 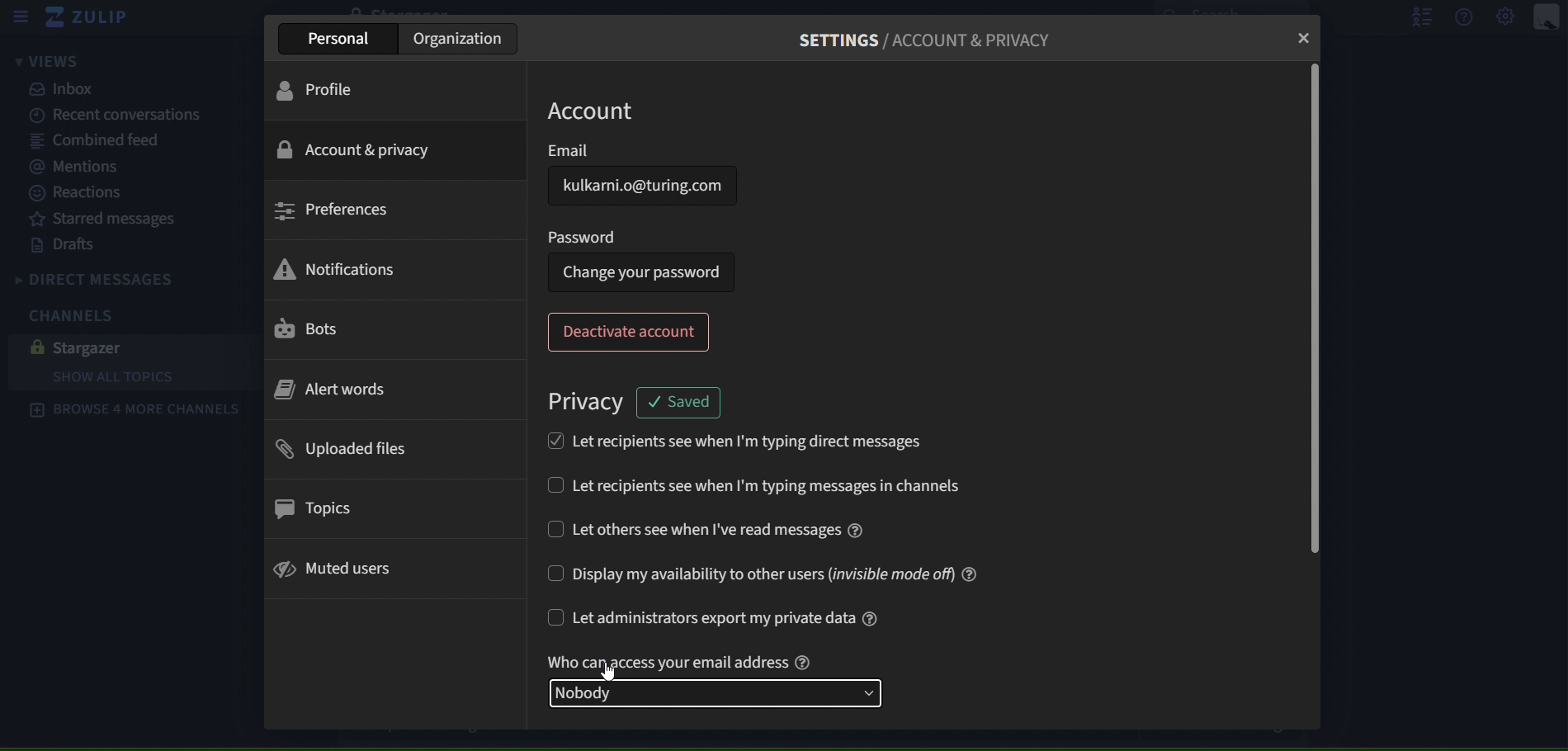 I want to click on main menu, so click(x=1507, y=18).